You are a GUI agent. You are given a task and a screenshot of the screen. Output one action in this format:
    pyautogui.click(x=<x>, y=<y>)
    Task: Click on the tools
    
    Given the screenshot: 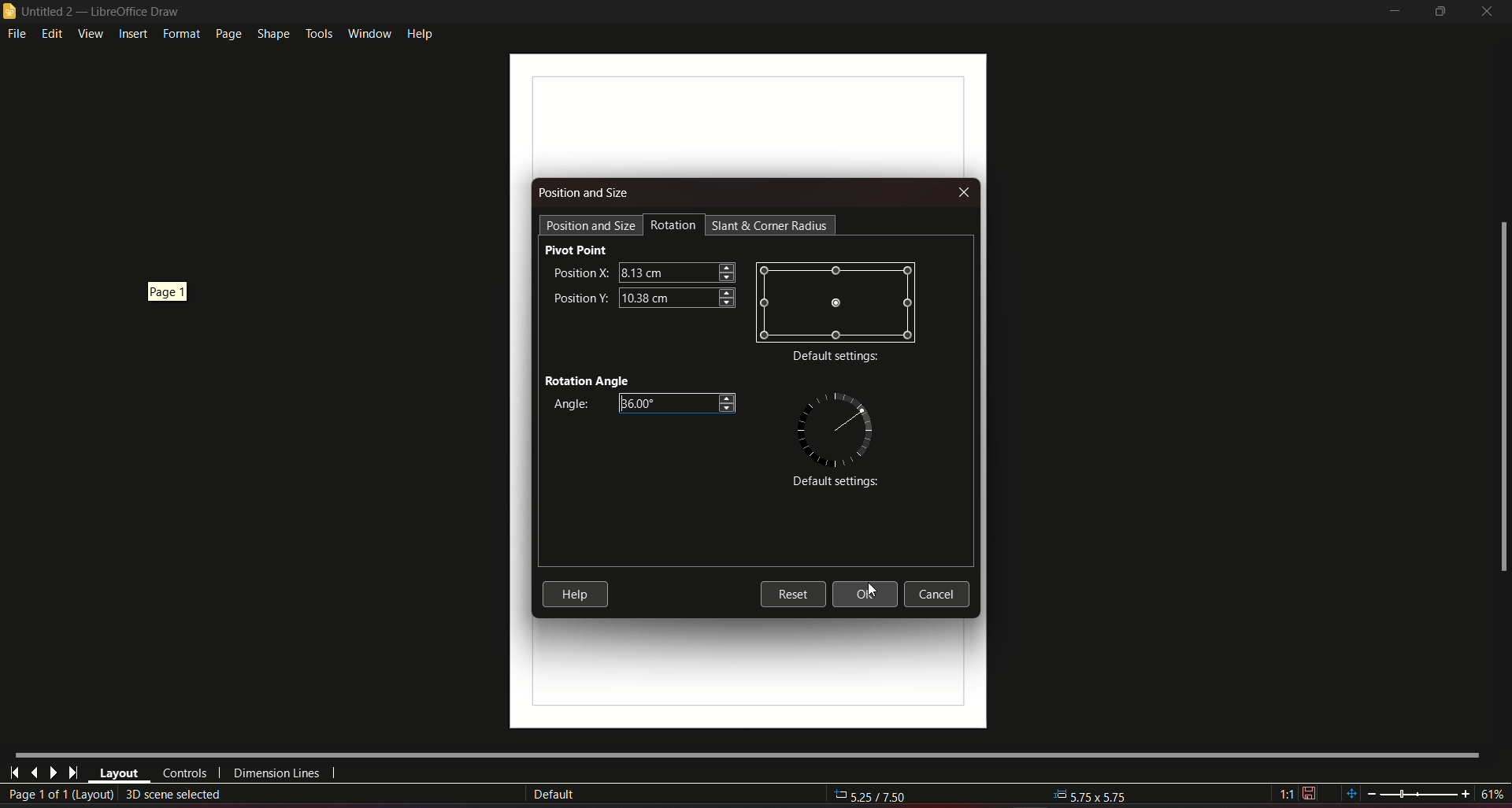 What is the action you would take?
    pyautogui.click(x=318, y=32)
    